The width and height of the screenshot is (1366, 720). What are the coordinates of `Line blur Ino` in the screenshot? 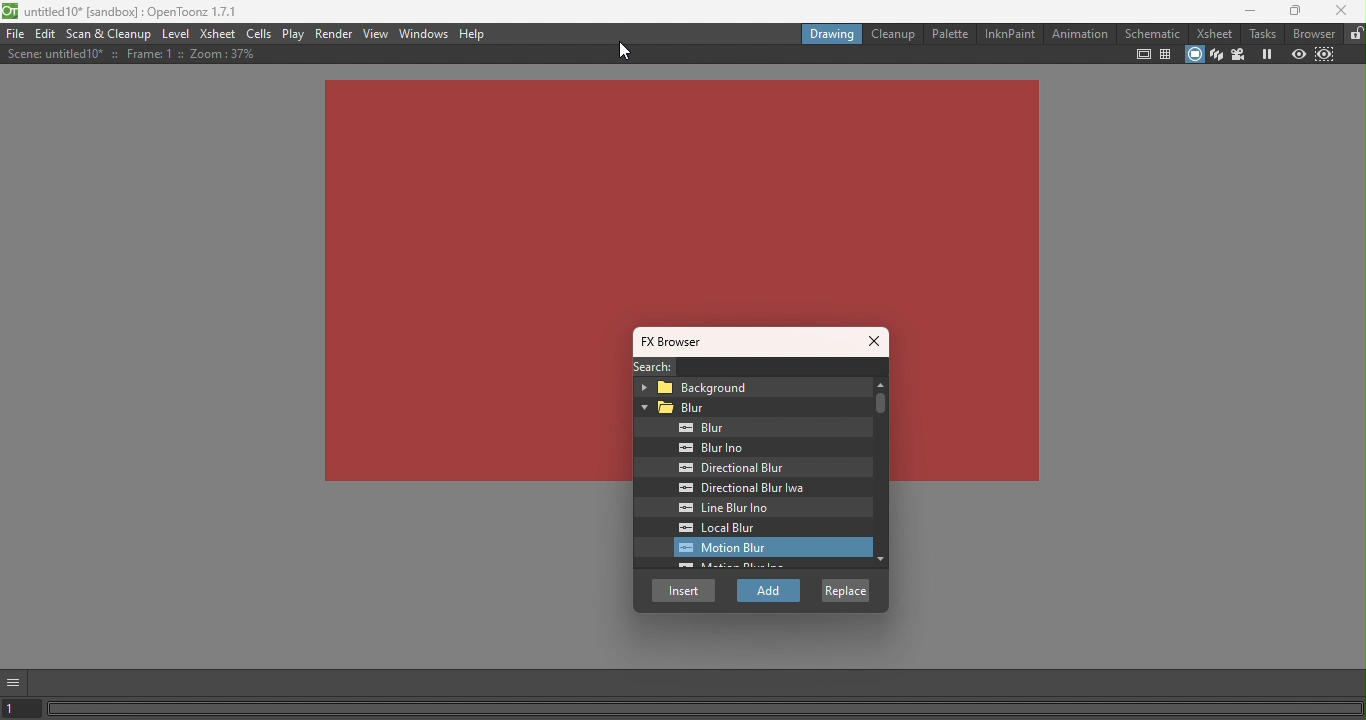 It's located at (730, 508).